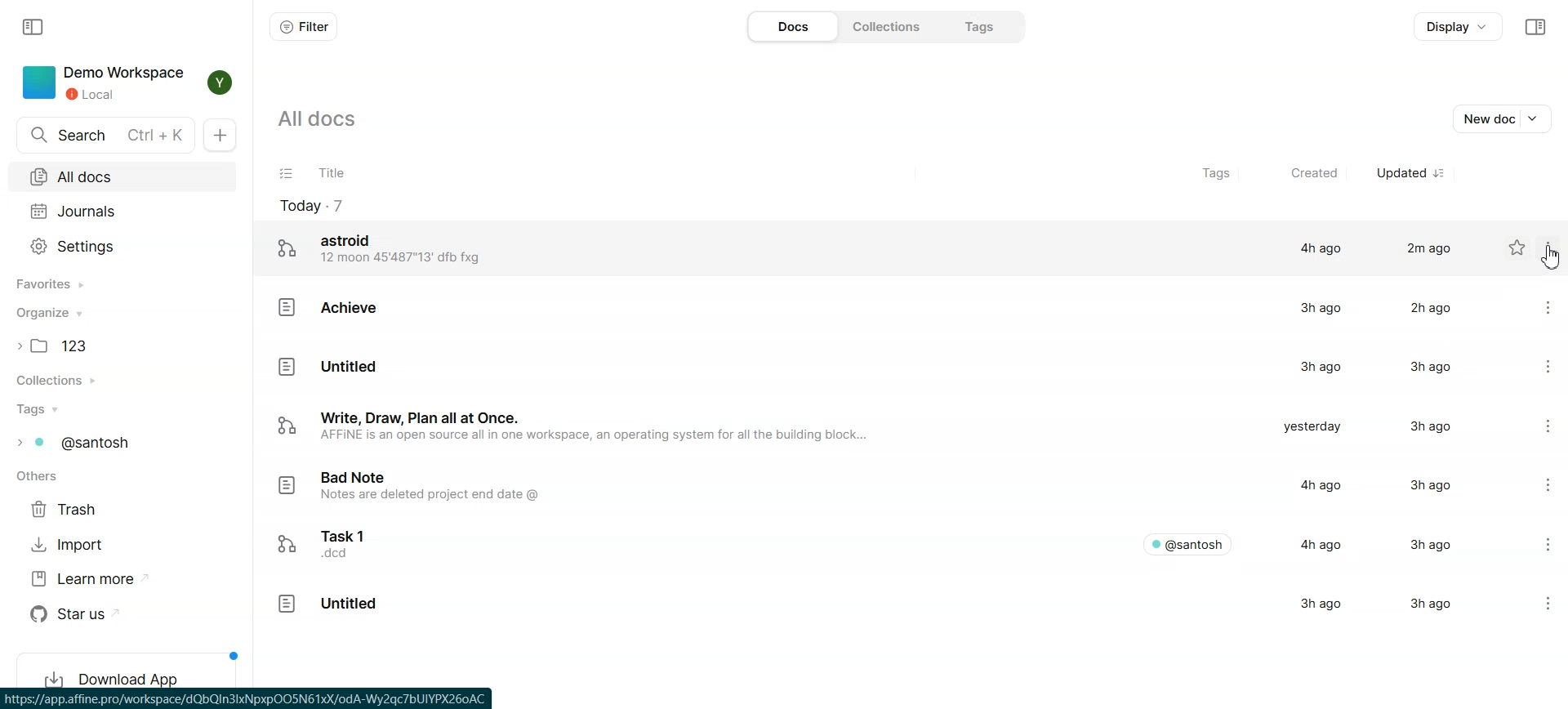 This screenshot has width=1568, height=709. What do you see at coordinates (1313, 368) in the screenshot?
I see `3h ago` at bounding box center [1313, 368].